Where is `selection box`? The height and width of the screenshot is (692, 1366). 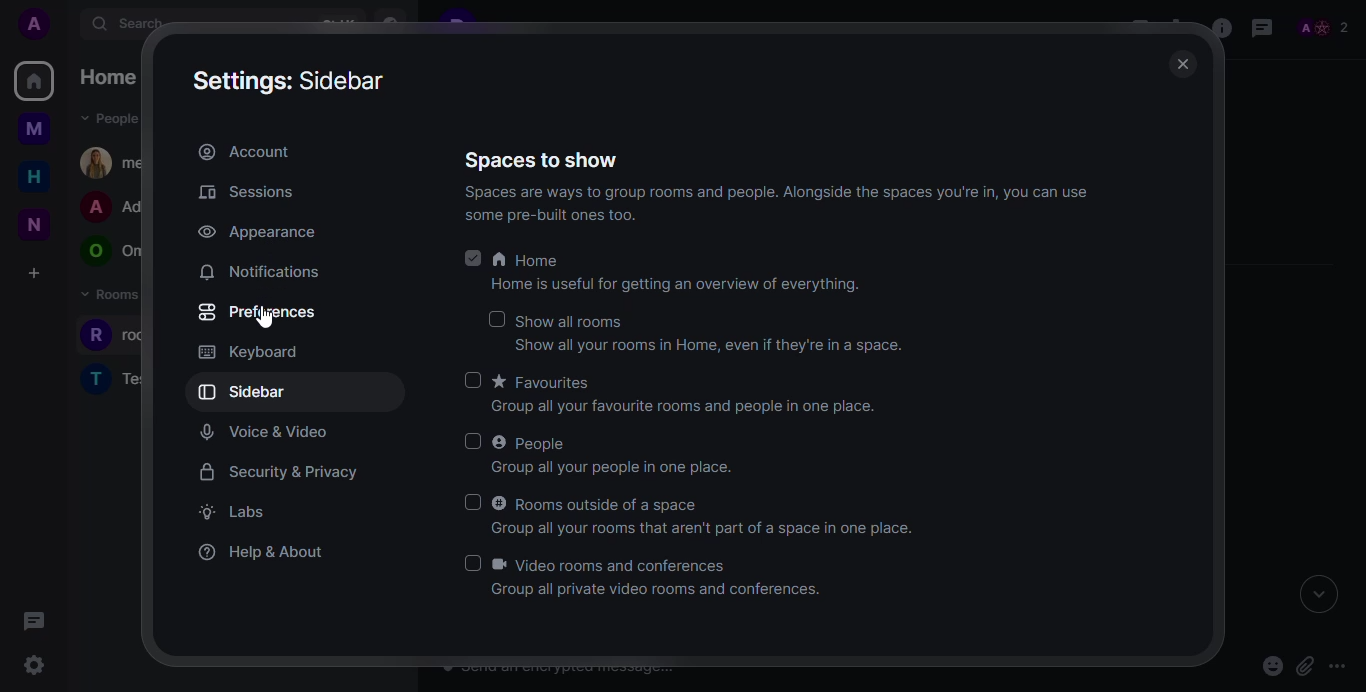 selection box is located at coordinates (476, 441).